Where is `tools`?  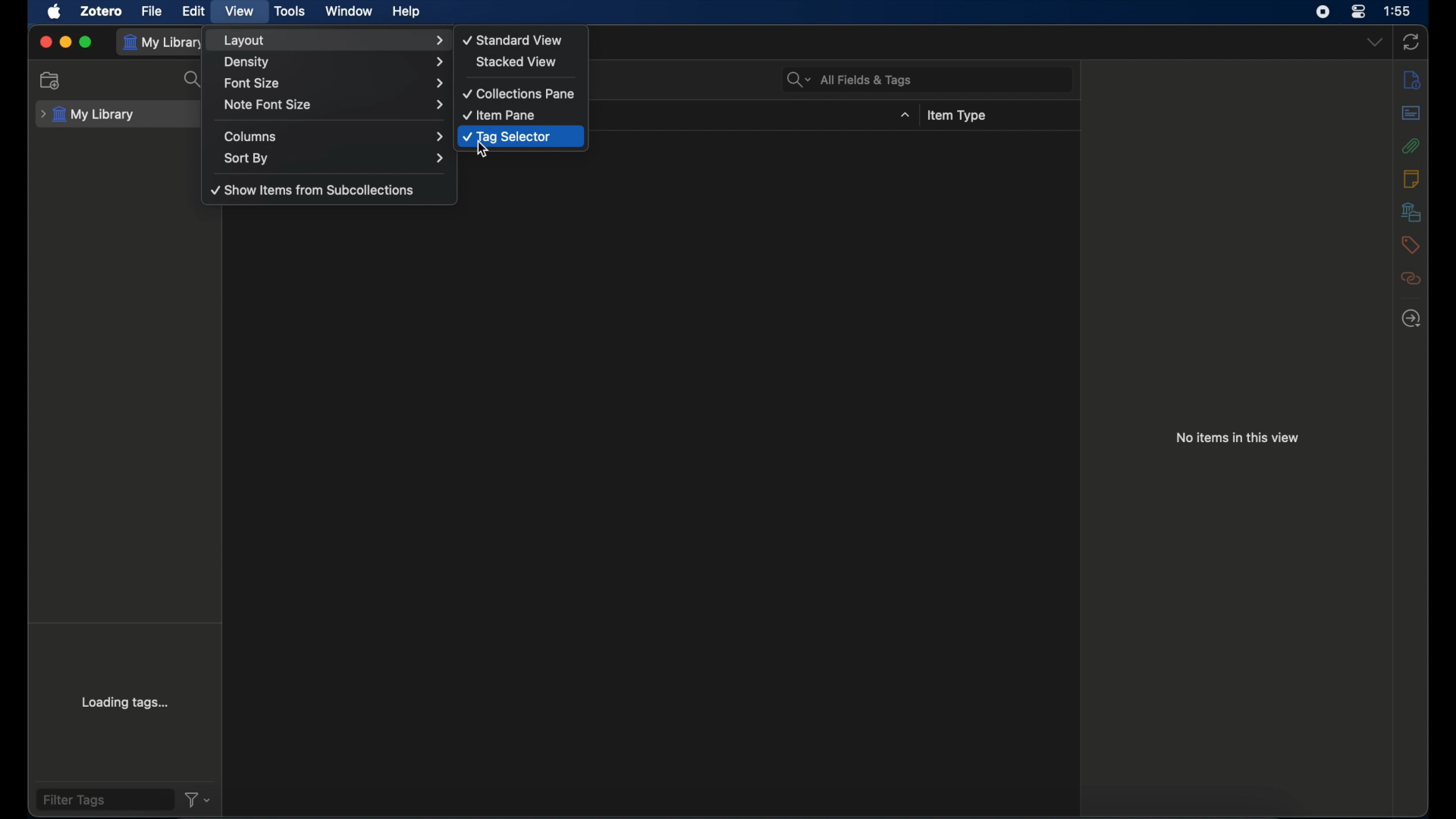
tools is located at coordinates (291, 11).